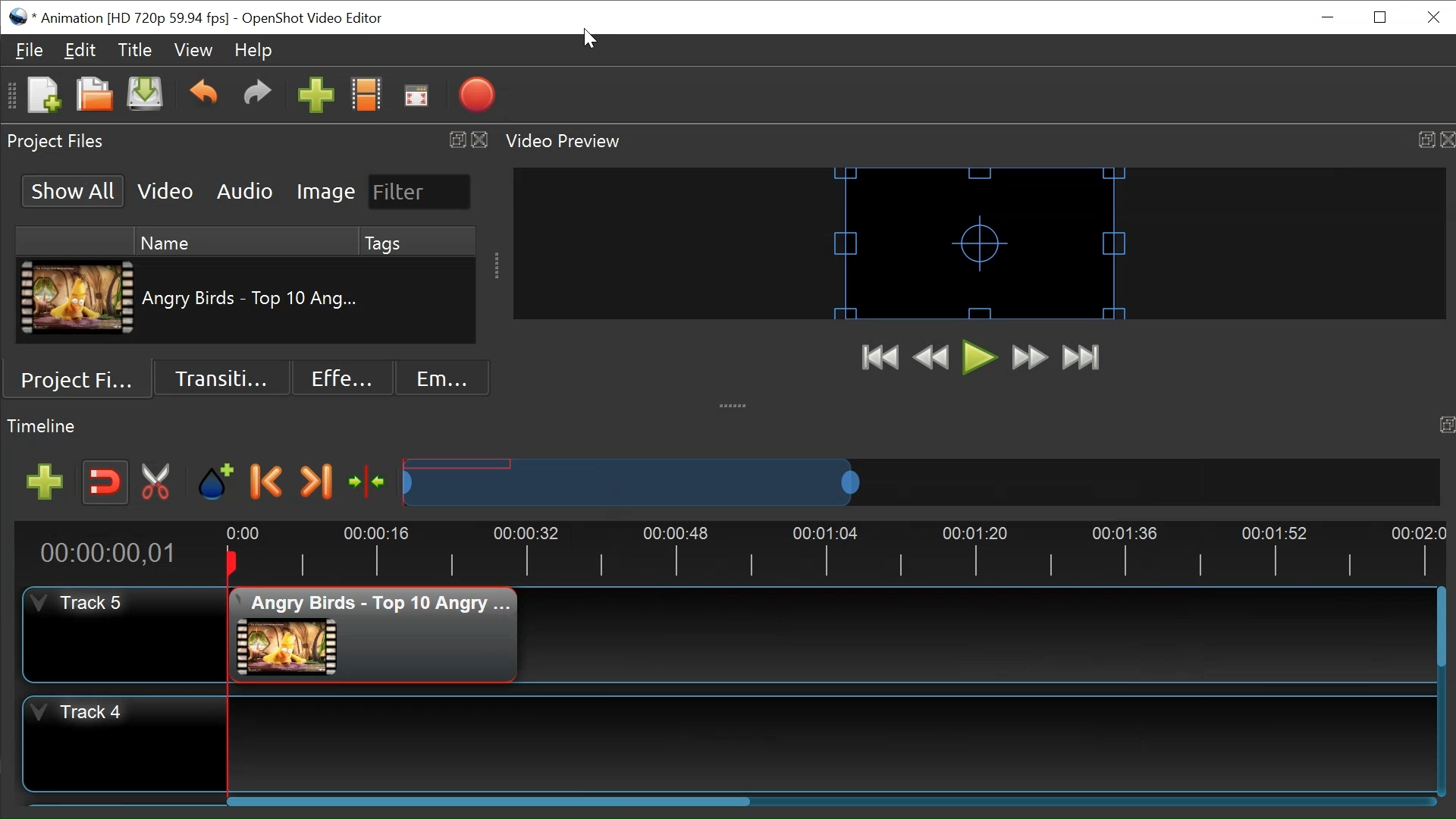 The width and height of the screenshot is (1456, 819). I want to click on Snap, so click(103, 481).